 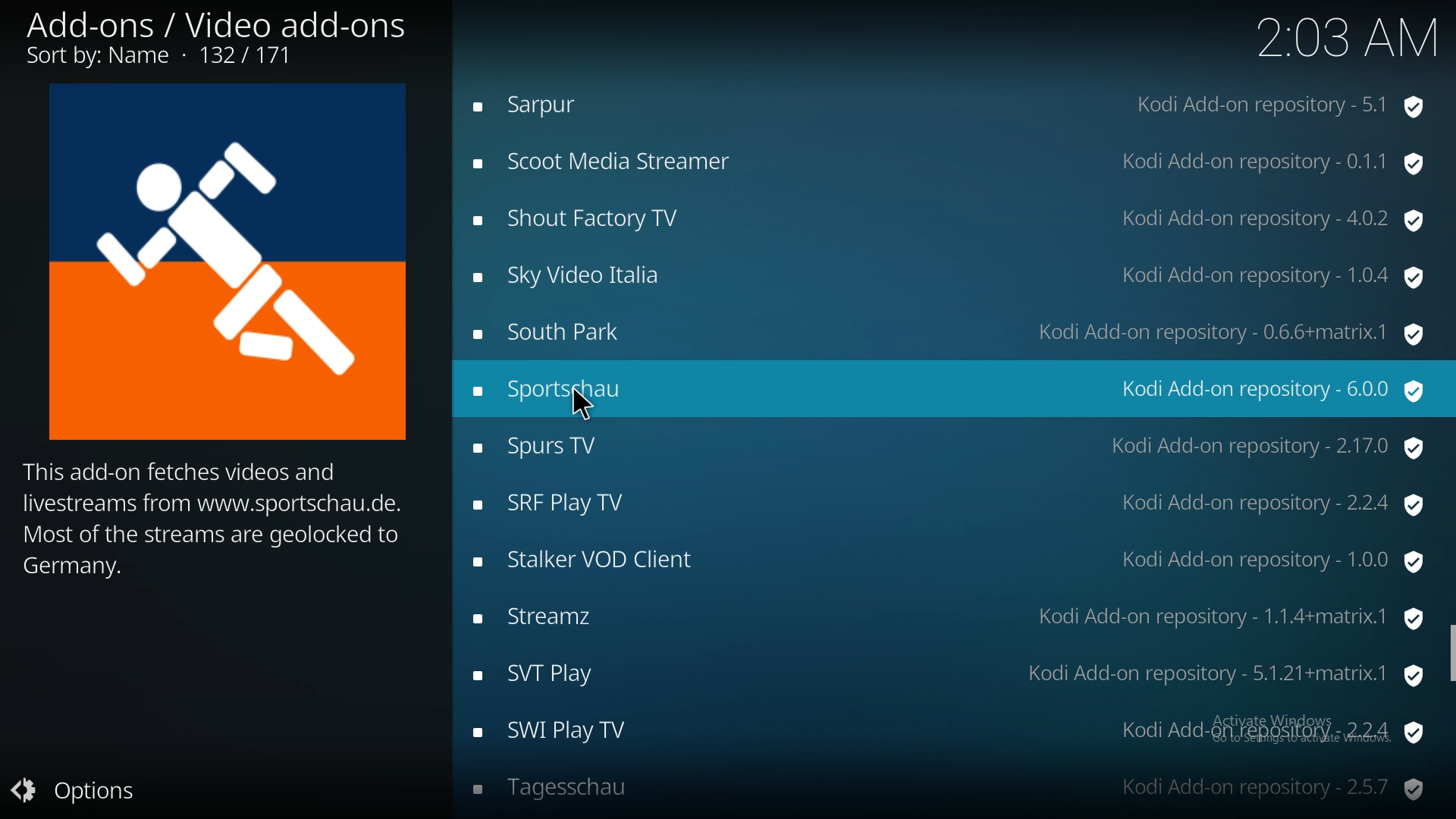 What do you see at coordinates (948, 387) in the screenshot?
I see `sportschau` at bounding box center [948, 387].